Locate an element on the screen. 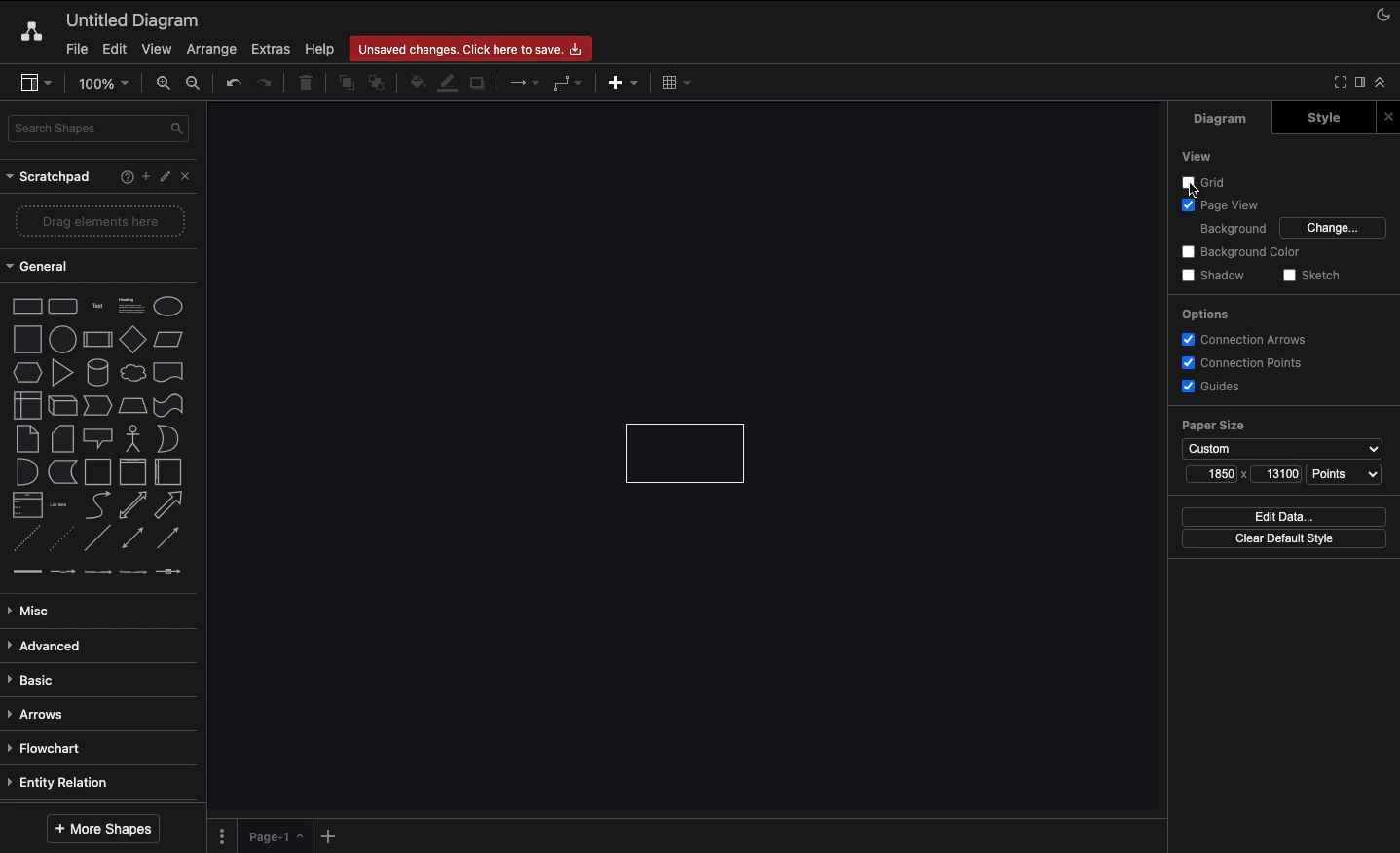 The width and height of the screenshot is (1400, 853). Line color is located at coordinates (447, 85).